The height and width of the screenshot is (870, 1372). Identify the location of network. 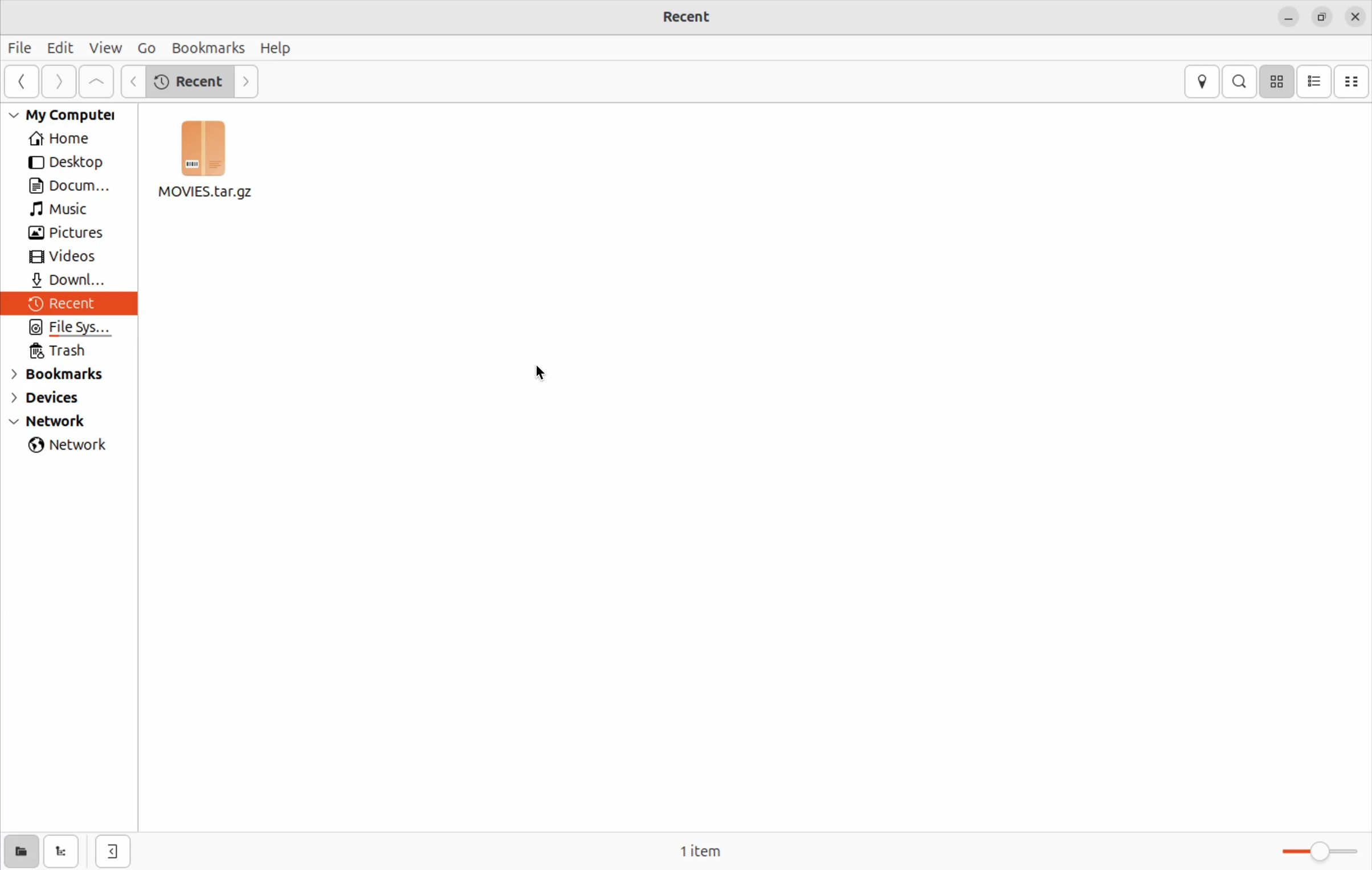
(70, 445).